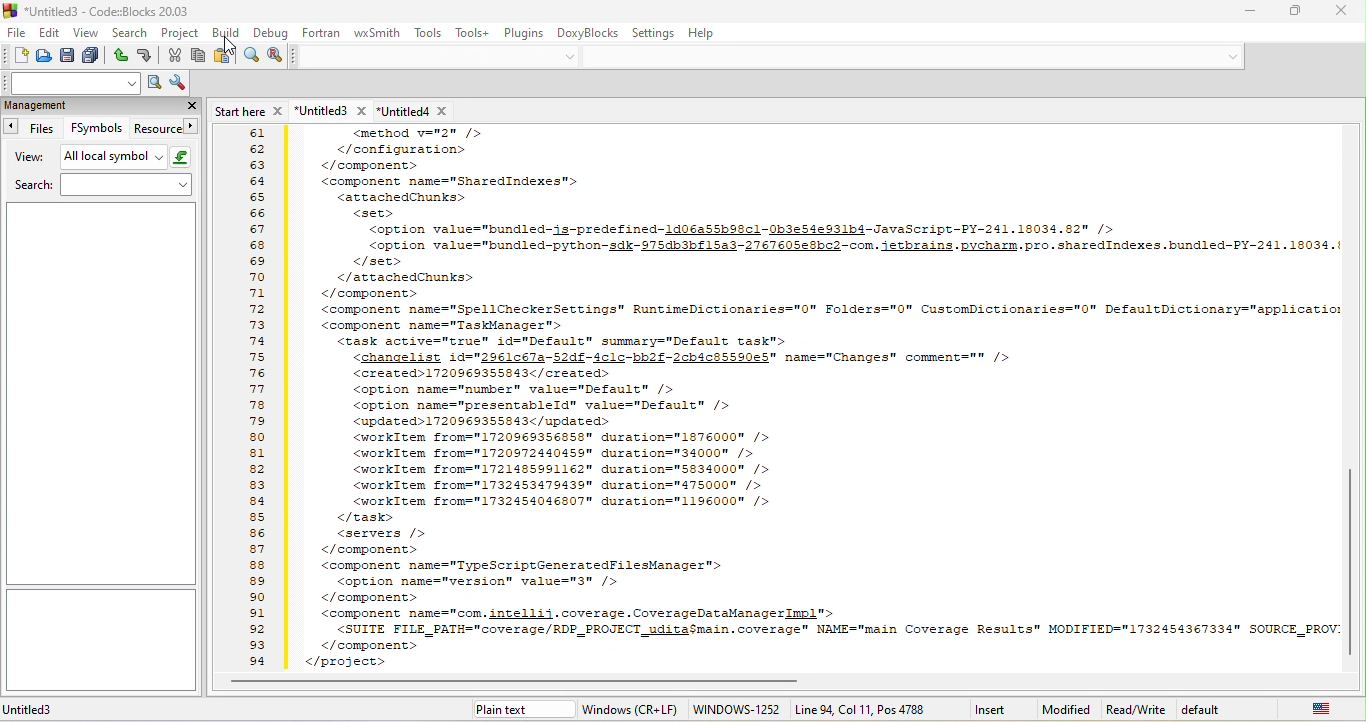 Image resolution: width=1366 pixels, height=722 pixels. What do you see at coordinates (1299, 10) in the screenshot?
I see `maximize` at bounding box center [1299, 10].